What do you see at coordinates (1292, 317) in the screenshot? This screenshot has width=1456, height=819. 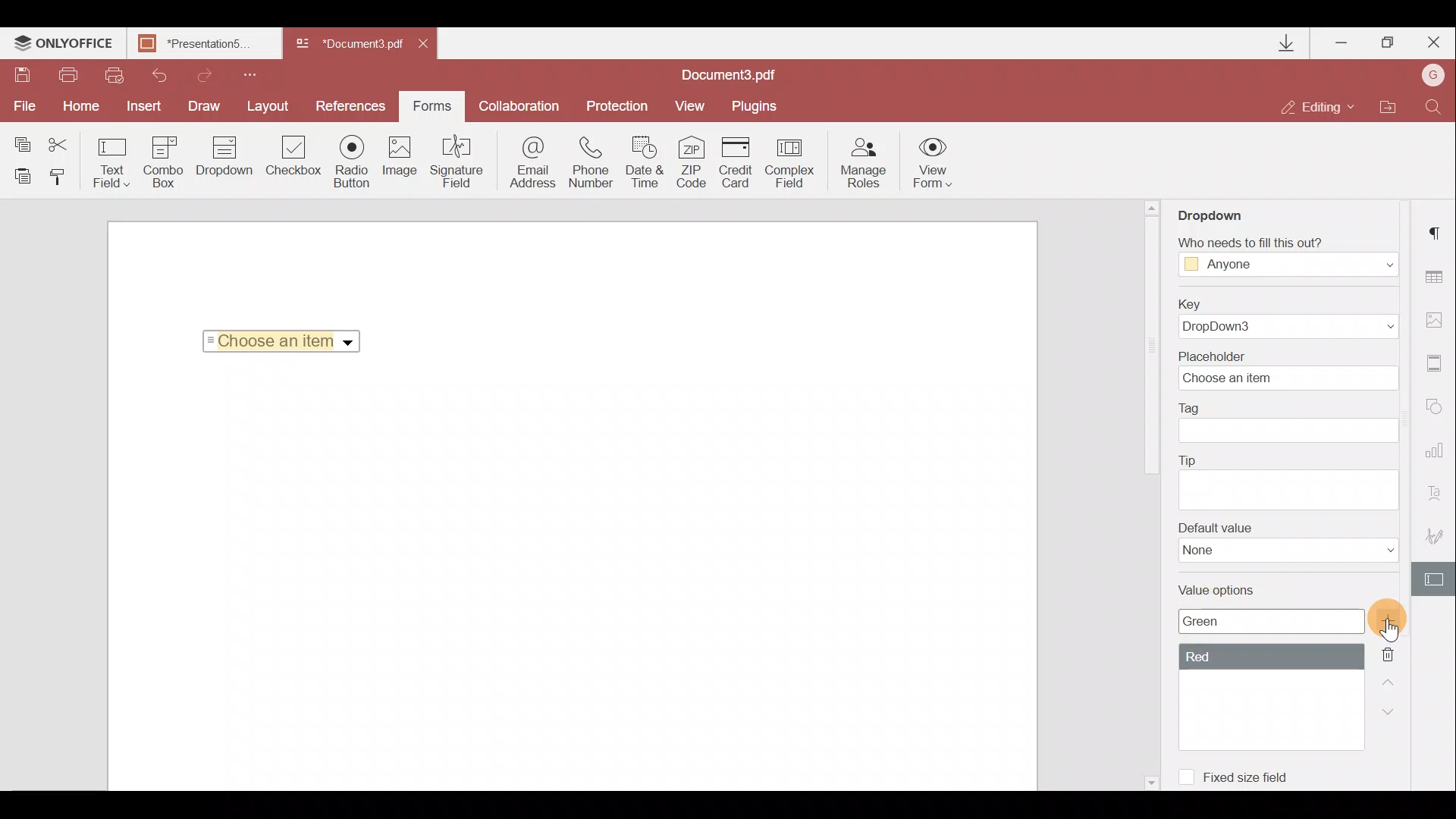 I see `Key` at bounding box center [1292, 317].